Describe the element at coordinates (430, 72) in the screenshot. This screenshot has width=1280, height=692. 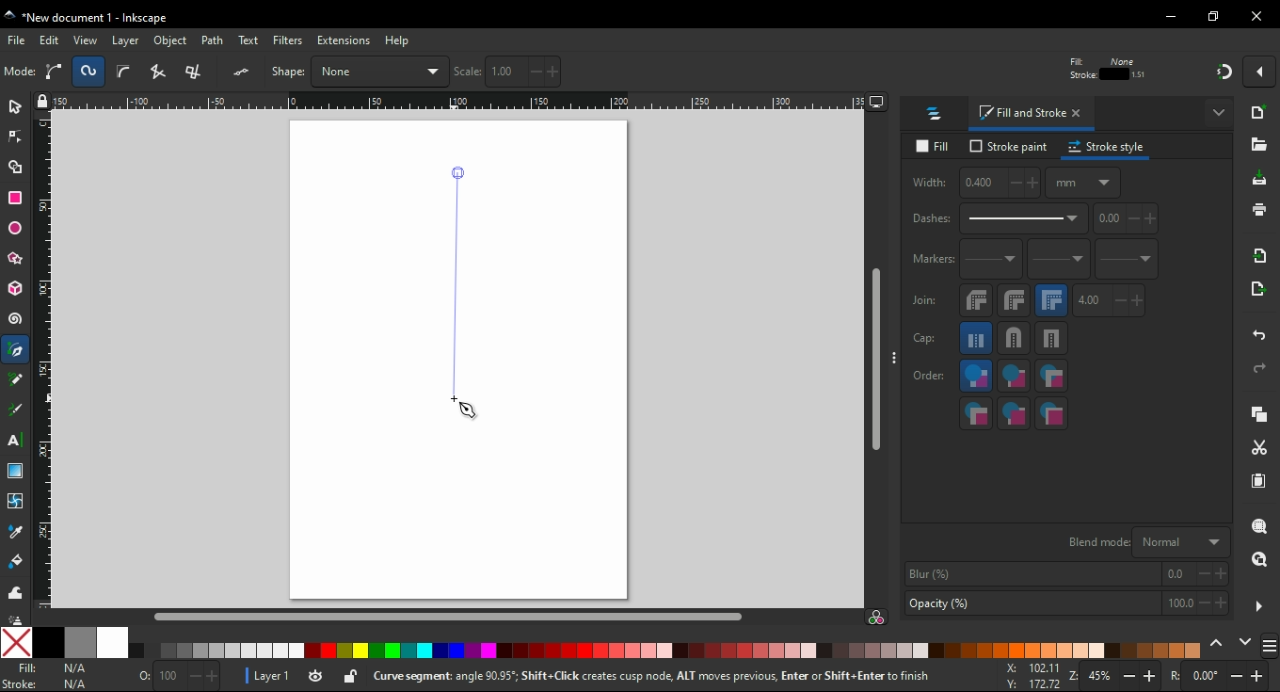
I see `lower to bottom` at that location.